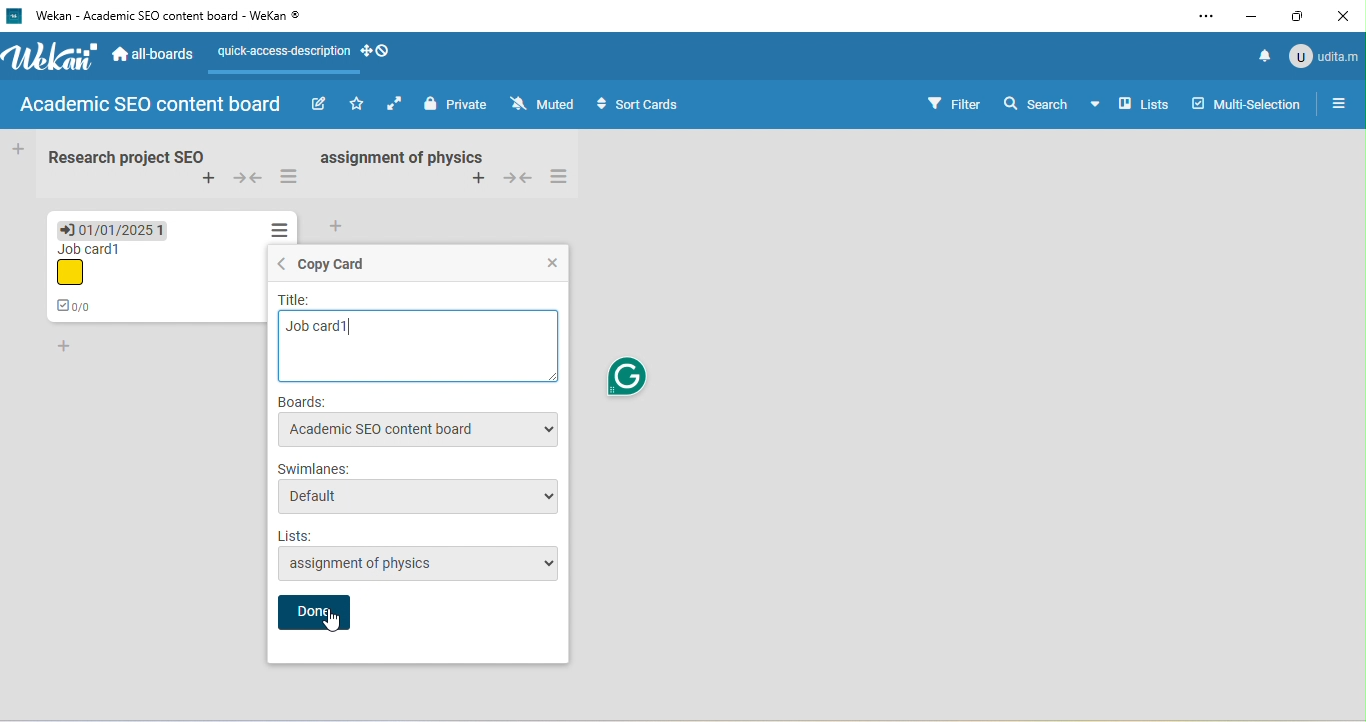 The image size is (1366, 722). What do you see at coordinates (299, 534) in the screenshot?
I see `lists` at bounding box center [299, 534].